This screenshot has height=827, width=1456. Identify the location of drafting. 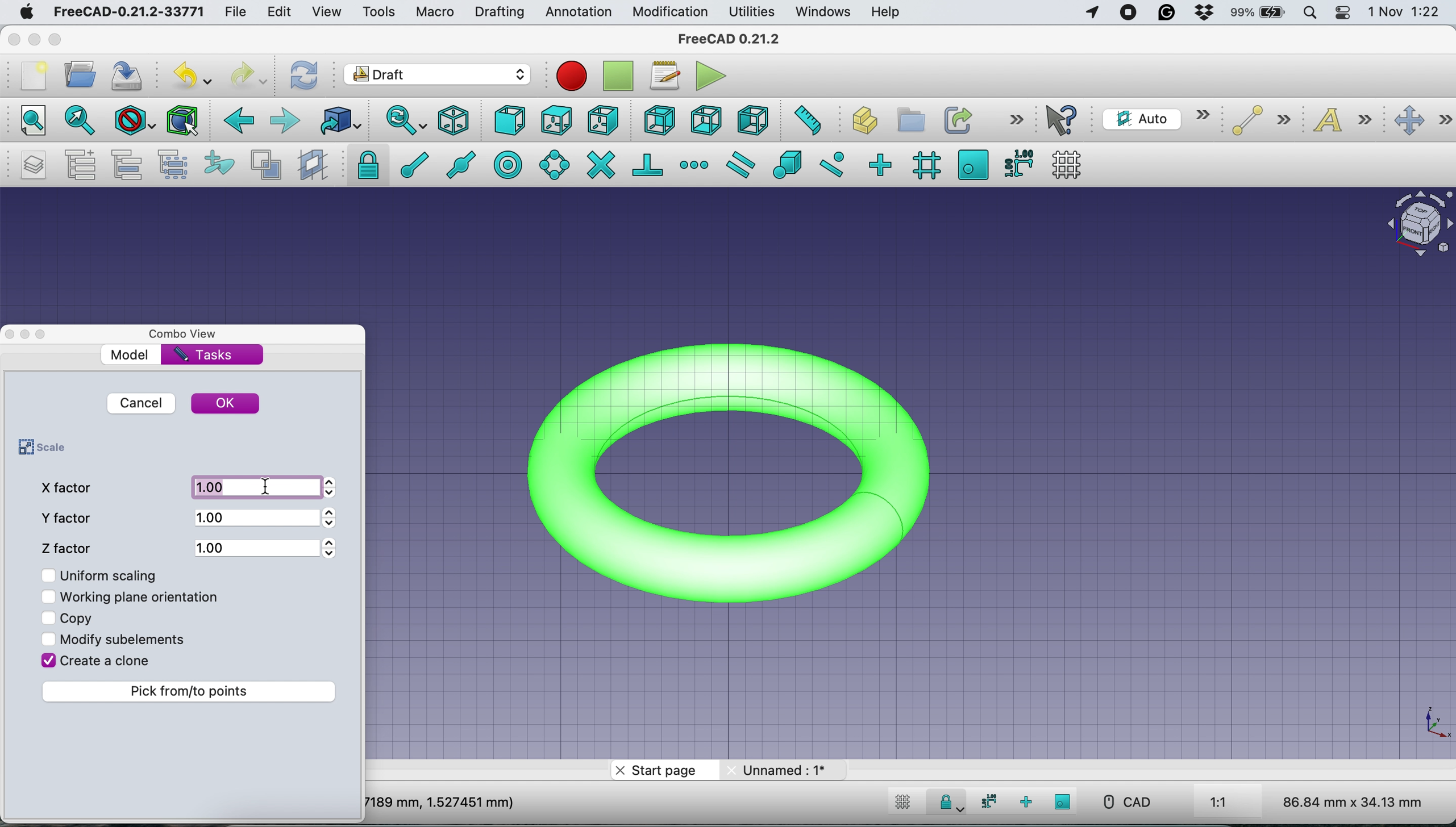
(499, 13).